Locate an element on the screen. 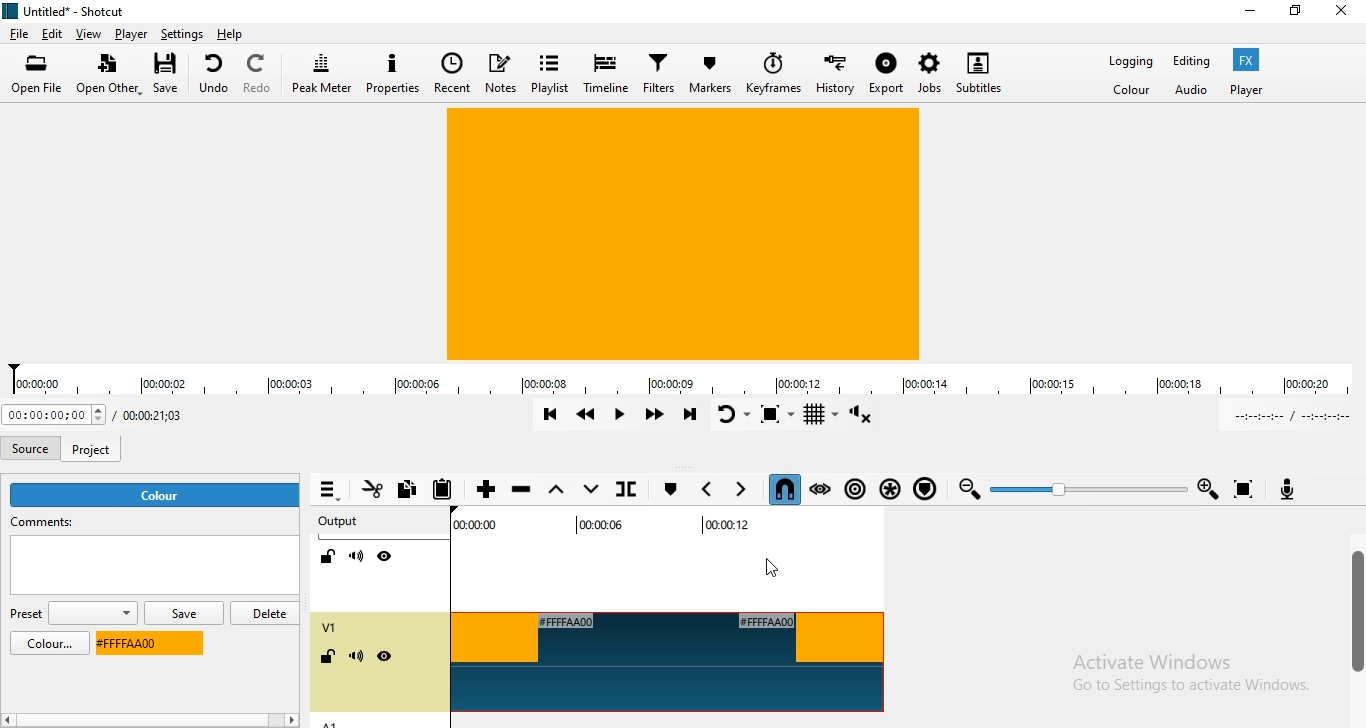  Timeline menu is located at coordinates (329, 491).